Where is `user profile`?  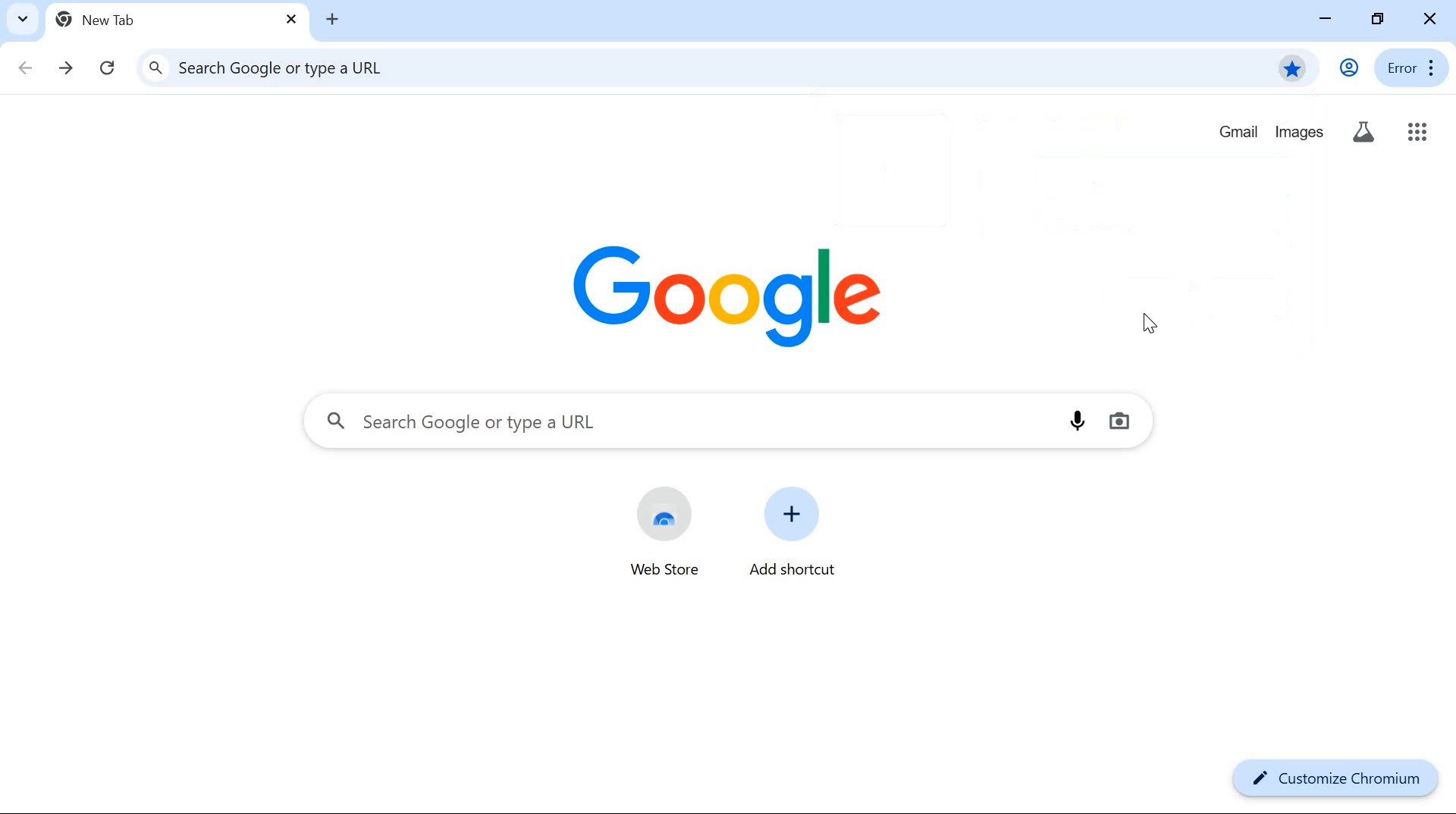
user profile is located at coordinates (1348, 67).